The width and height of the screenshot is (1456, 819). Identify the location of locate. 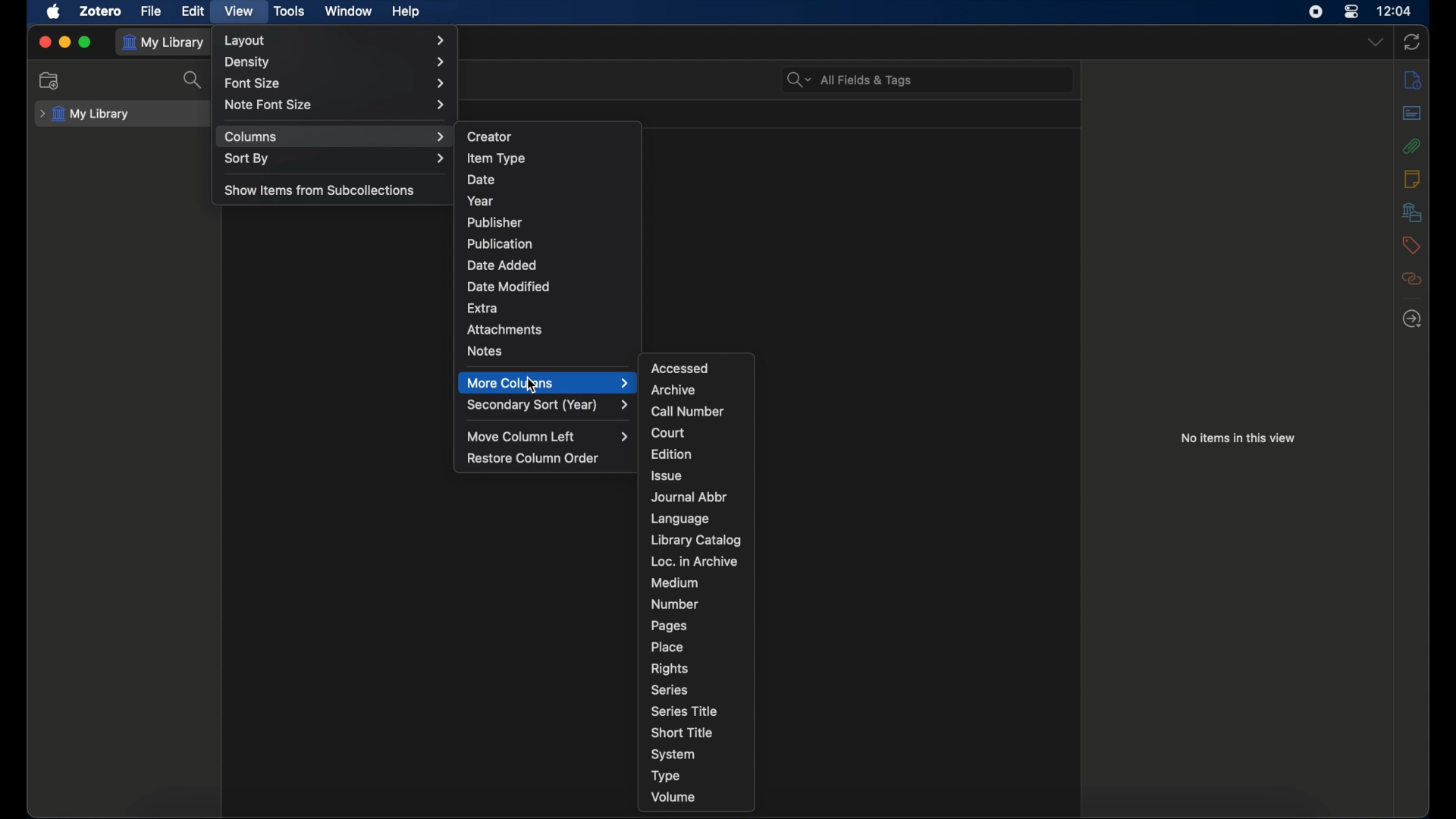
(1412, 319).